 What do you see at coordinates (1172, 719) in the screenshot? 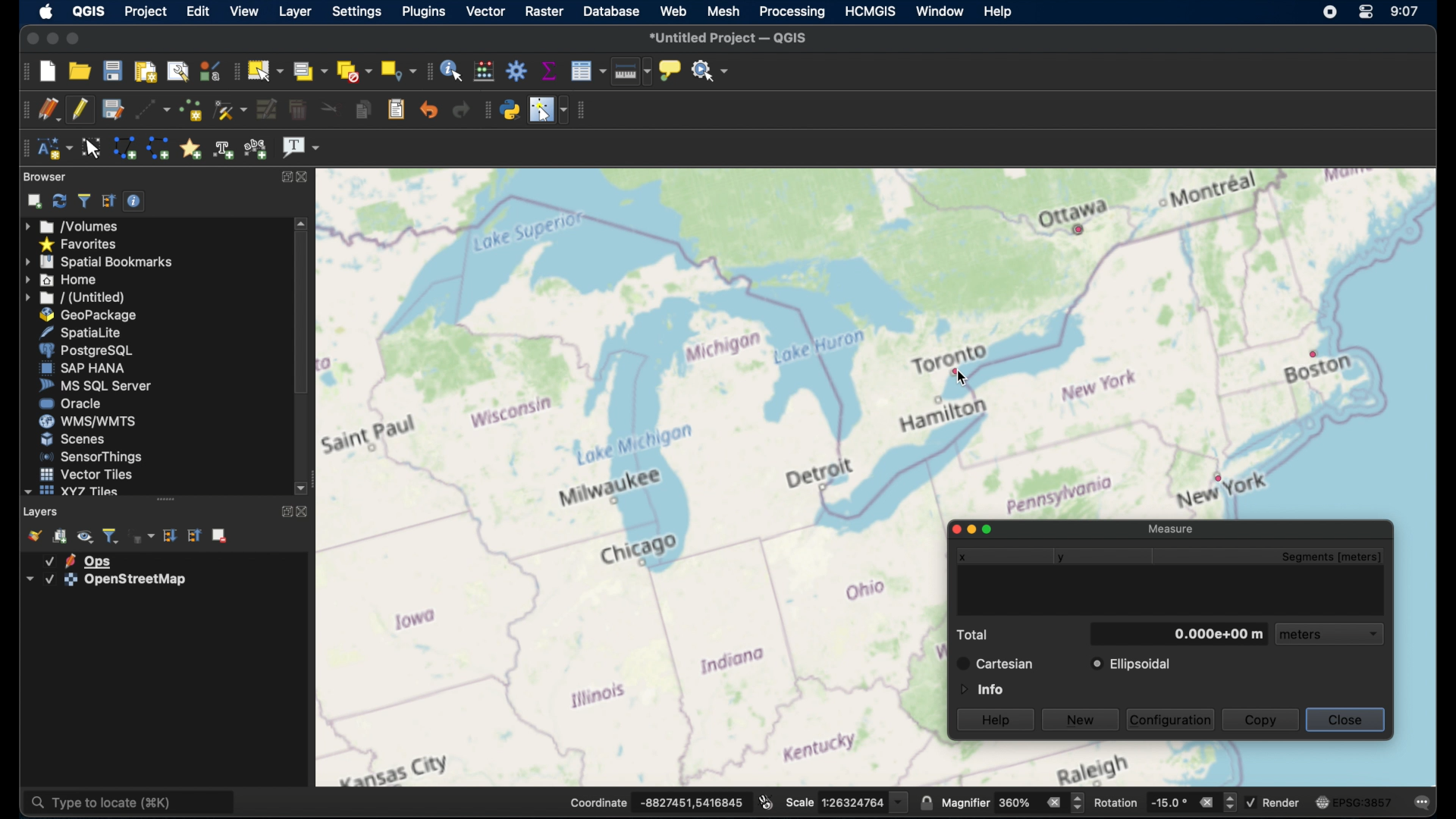
I see `configuration` at bounding box center [1172, 719].